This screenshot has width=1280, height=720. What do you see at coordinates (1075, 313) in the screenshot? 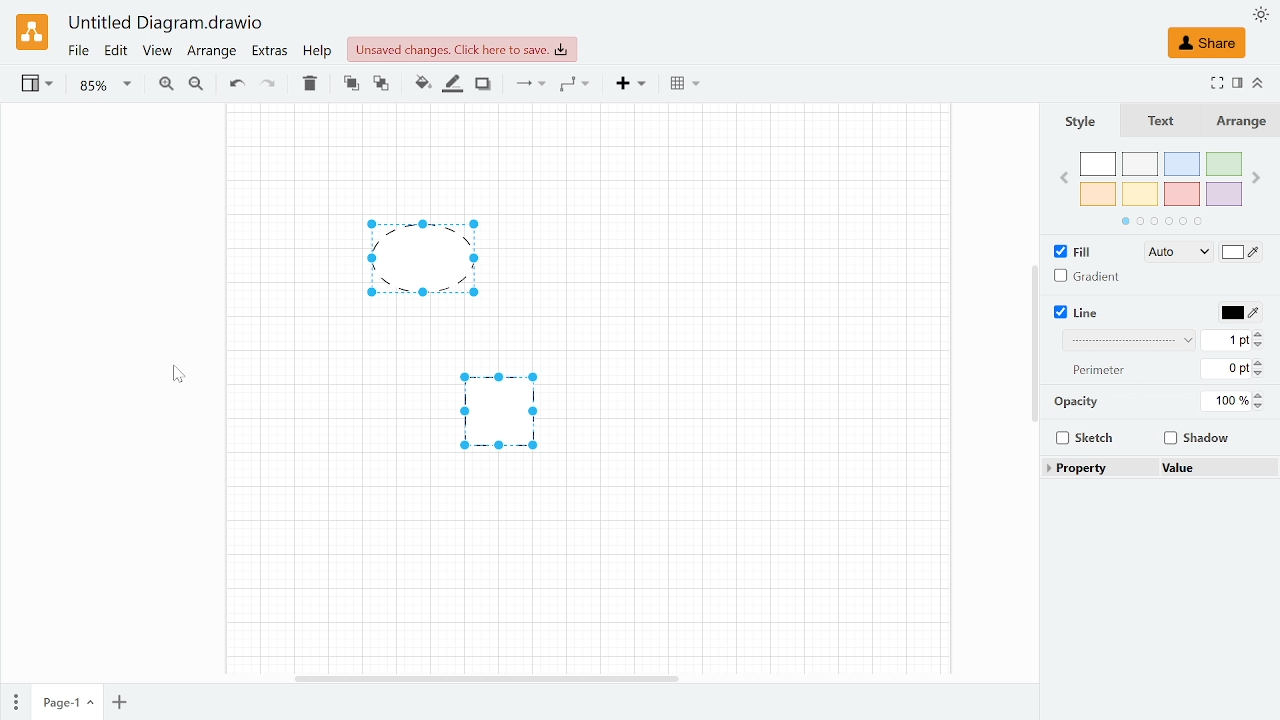
I see `Line` at bounding box center [1075, 313].